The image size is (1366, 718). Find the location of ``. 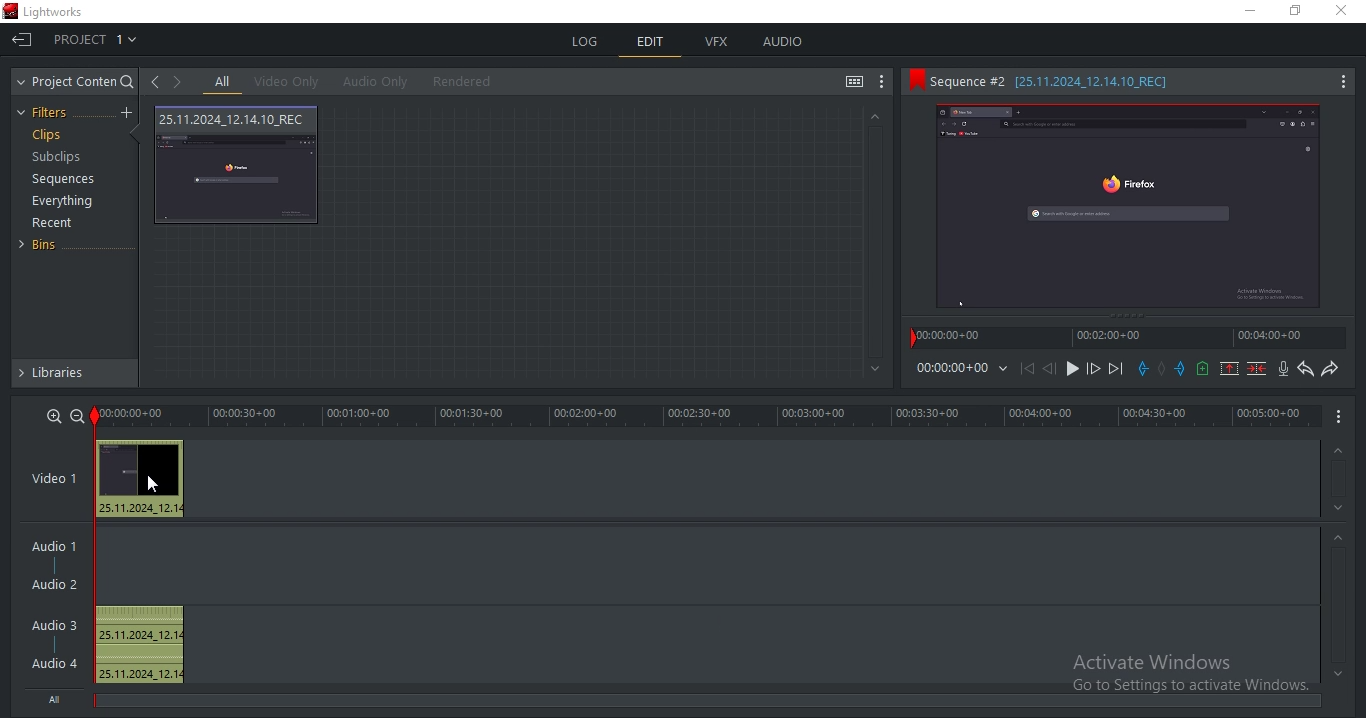

 is located at coordinates (855, 82).